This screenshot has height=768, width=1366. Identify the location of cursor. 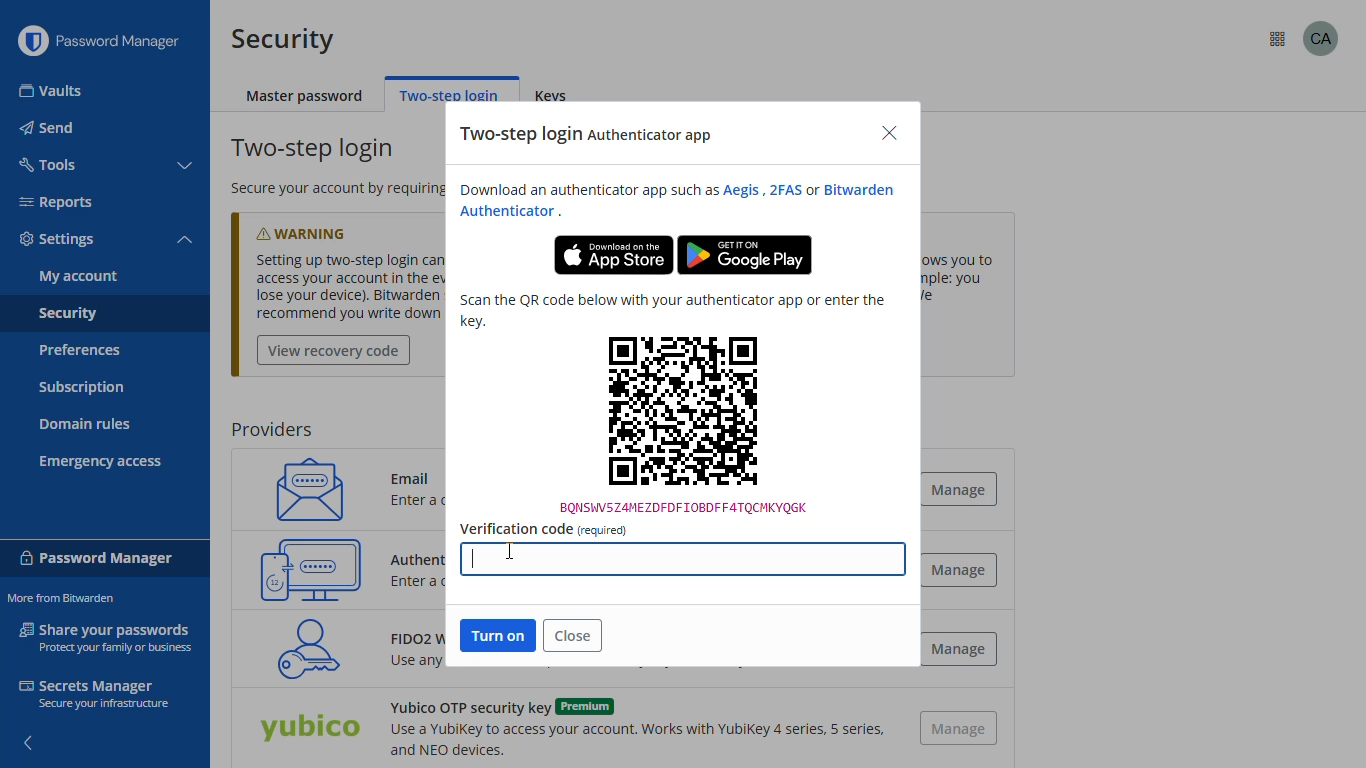
(511, 552).